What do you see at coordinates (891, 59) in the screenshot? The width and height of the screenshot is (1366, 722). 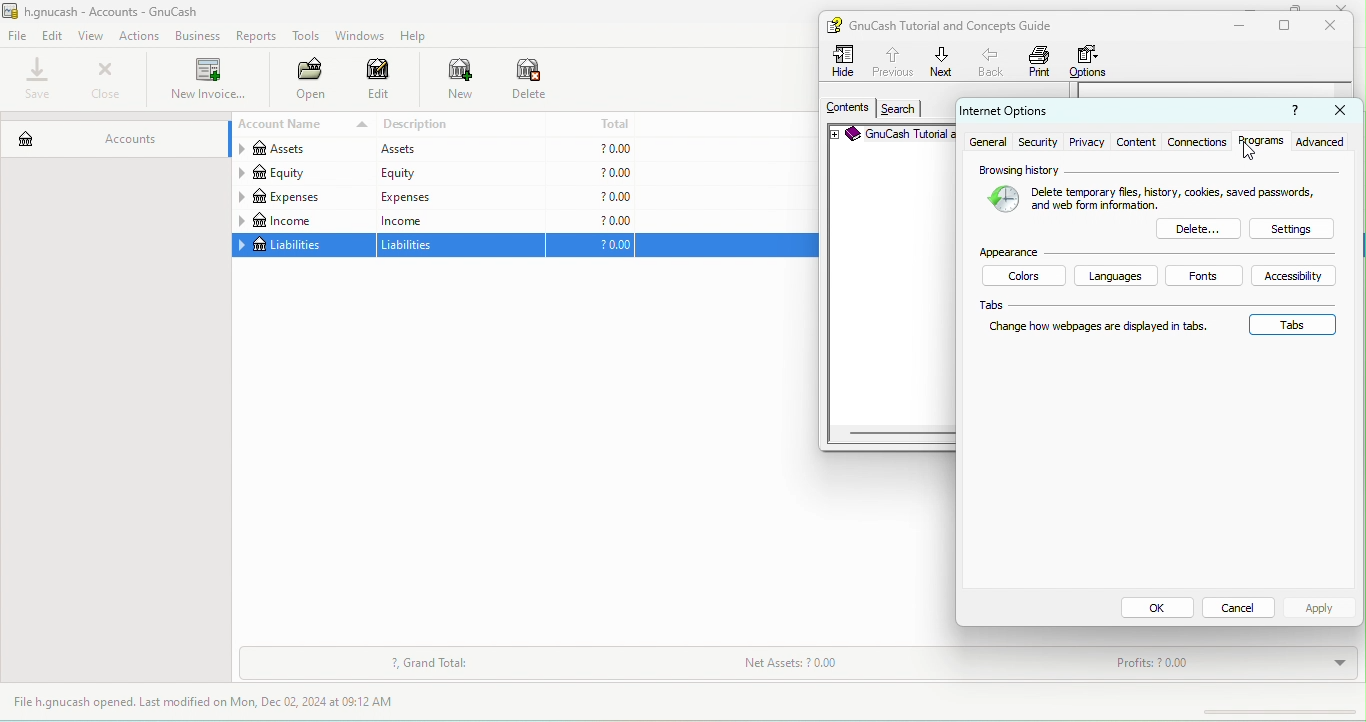 I see `previous` at bounding box center [891, 59].